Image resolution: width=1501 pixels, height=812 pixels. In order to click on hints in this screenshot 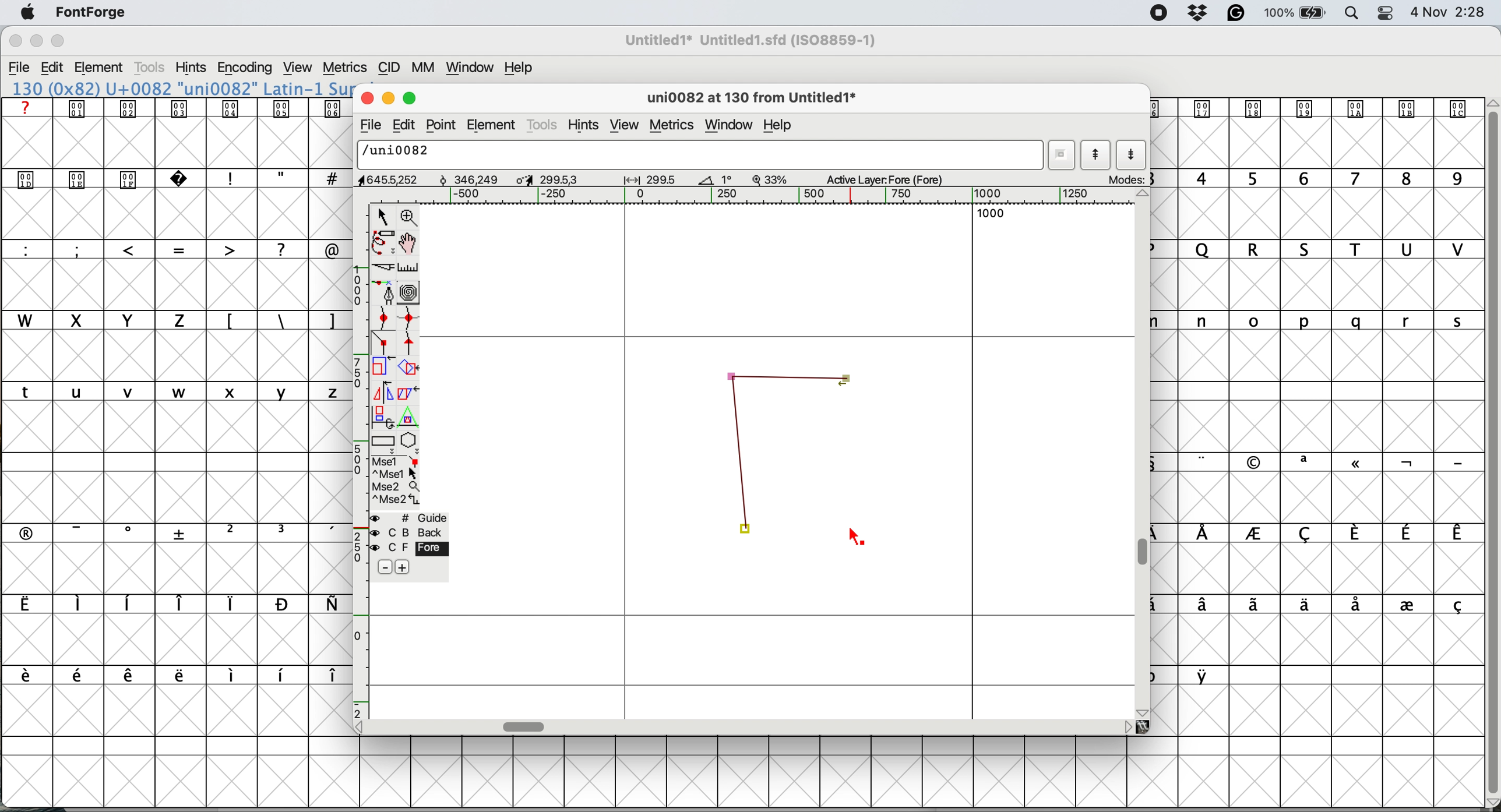, I will do `click(191, 67)`.